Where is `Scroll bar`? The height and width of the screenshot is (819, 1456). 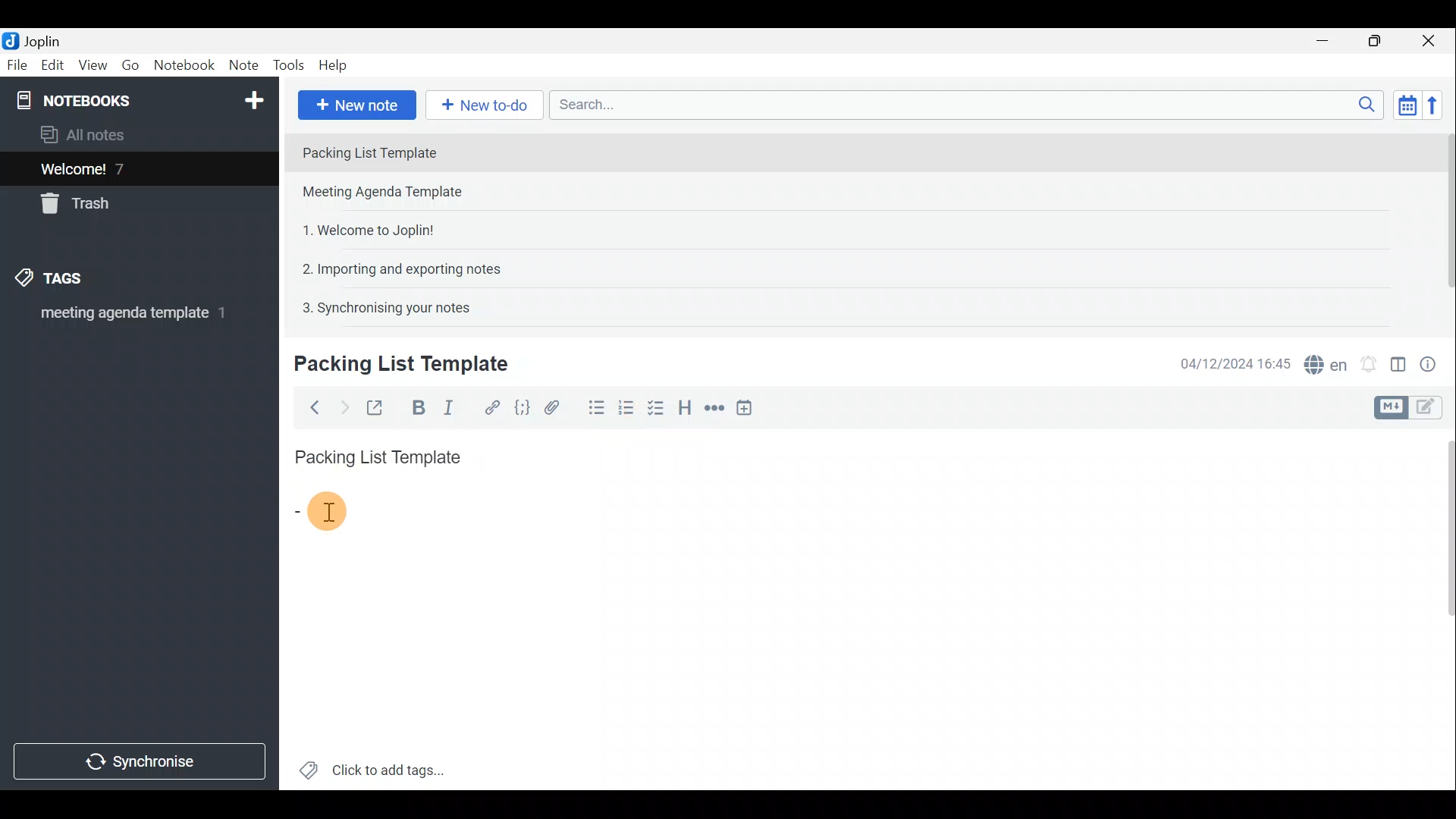 Scroll bar is located at coordinates (1442, 221).